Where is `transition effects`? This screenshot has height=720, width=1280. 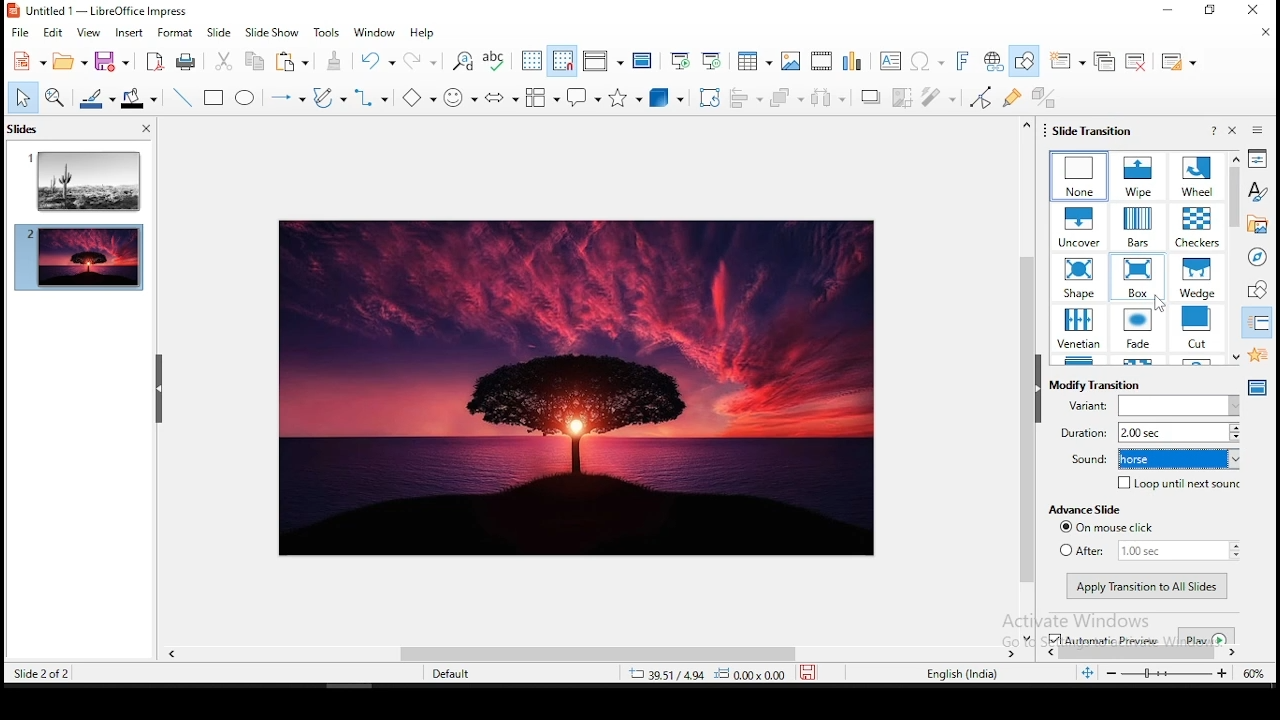
transition effects is located at coordinates (1079, 330).